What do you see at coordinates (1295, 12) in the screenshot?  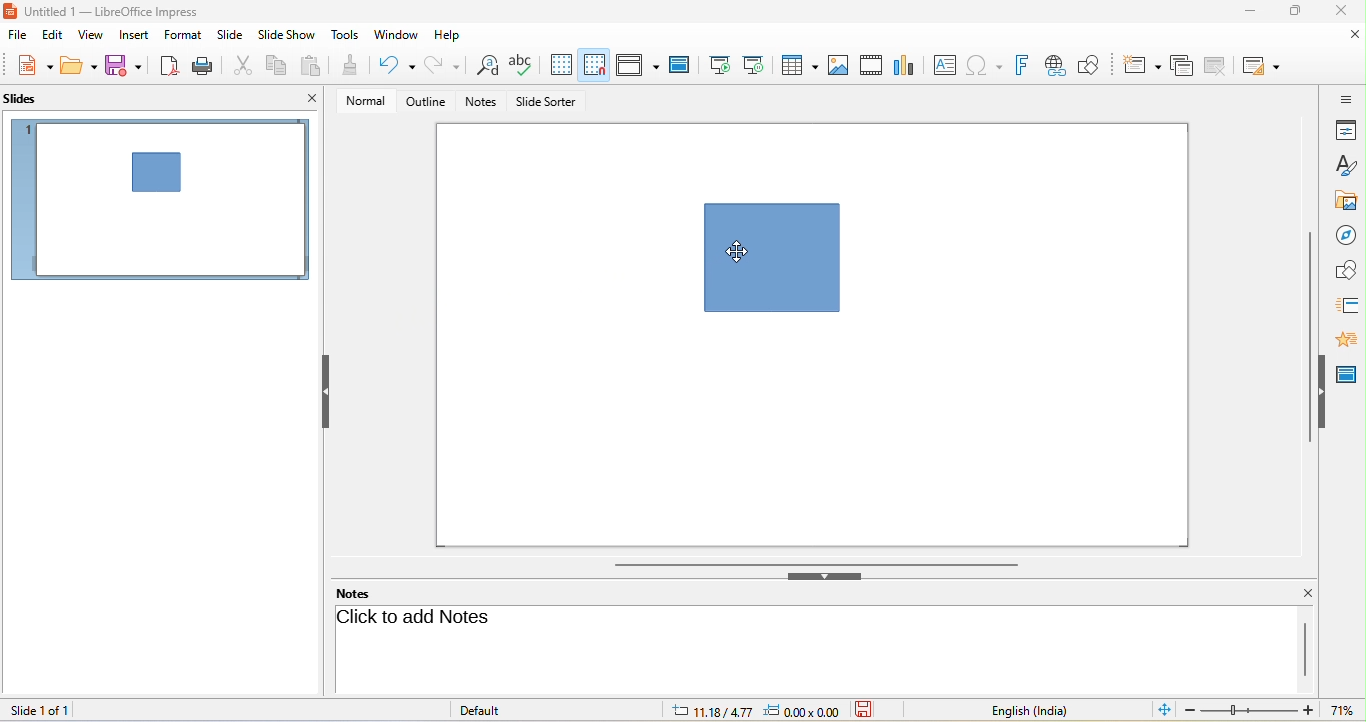 I see `maximize` at bounding box center [1295, 12].